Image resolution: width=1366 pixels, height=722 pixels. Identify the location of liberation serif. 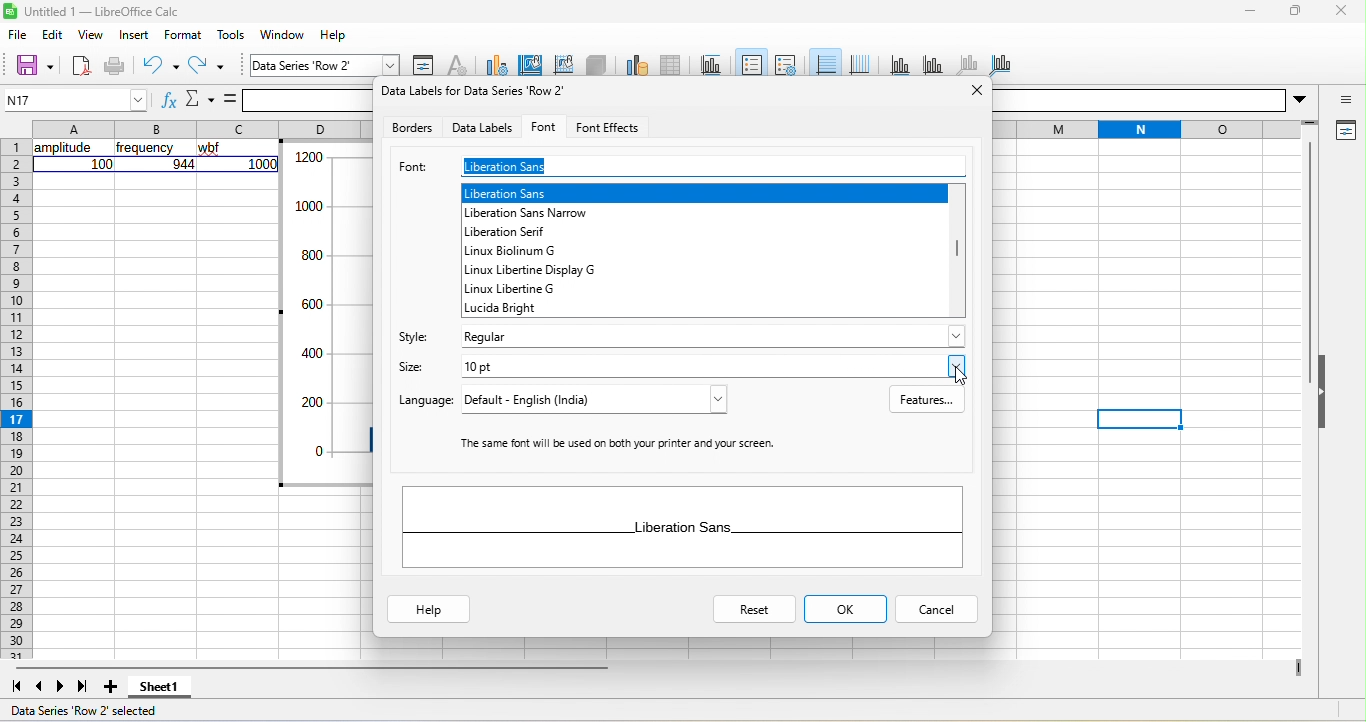
(515, 232).